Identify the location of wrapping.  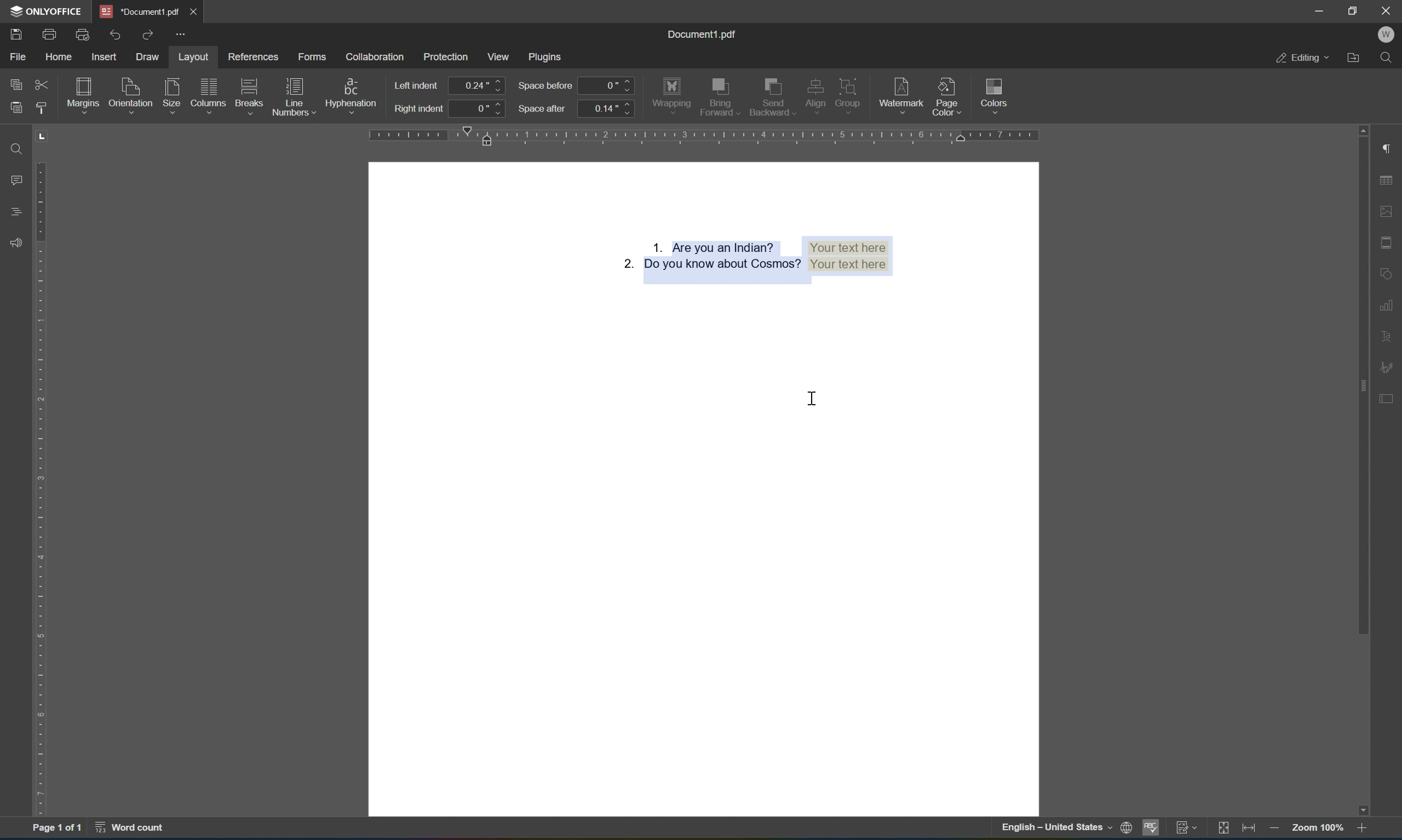
(672, 93).